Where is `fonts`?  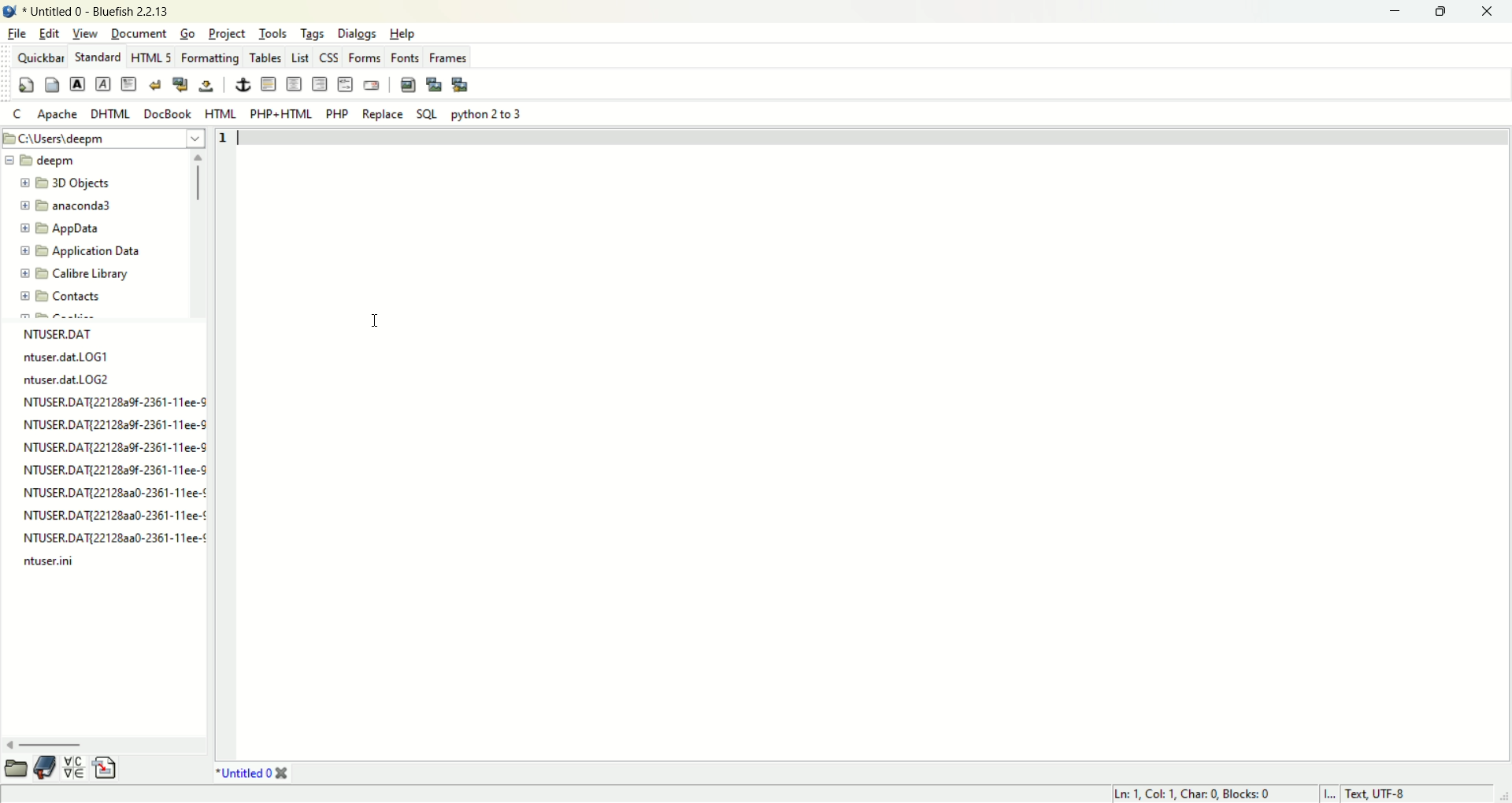 fonts is located at coordinates (406, 58).